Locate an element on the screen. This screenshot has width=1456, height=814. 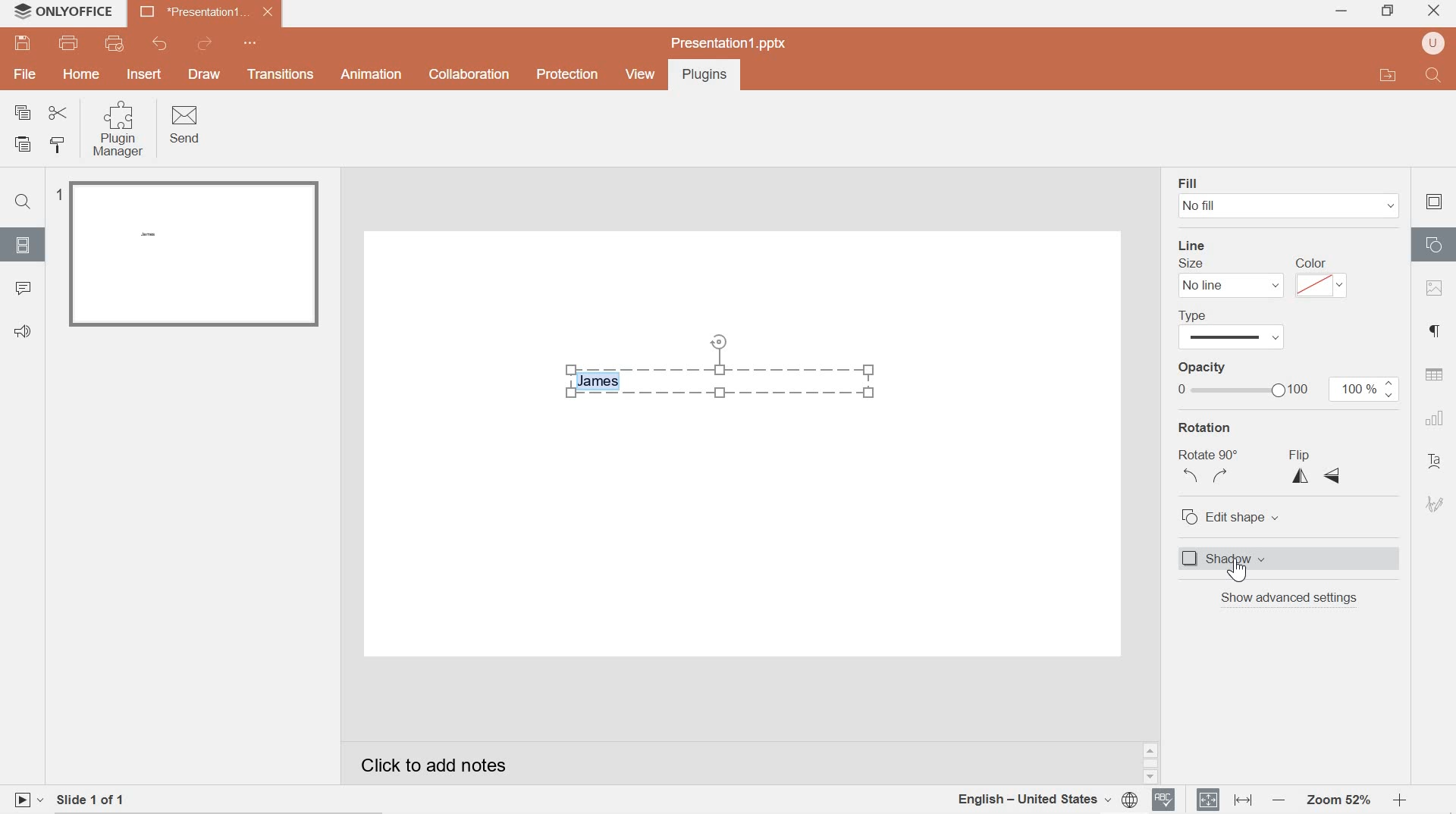
collaboration is located at coordinates (467, 75).